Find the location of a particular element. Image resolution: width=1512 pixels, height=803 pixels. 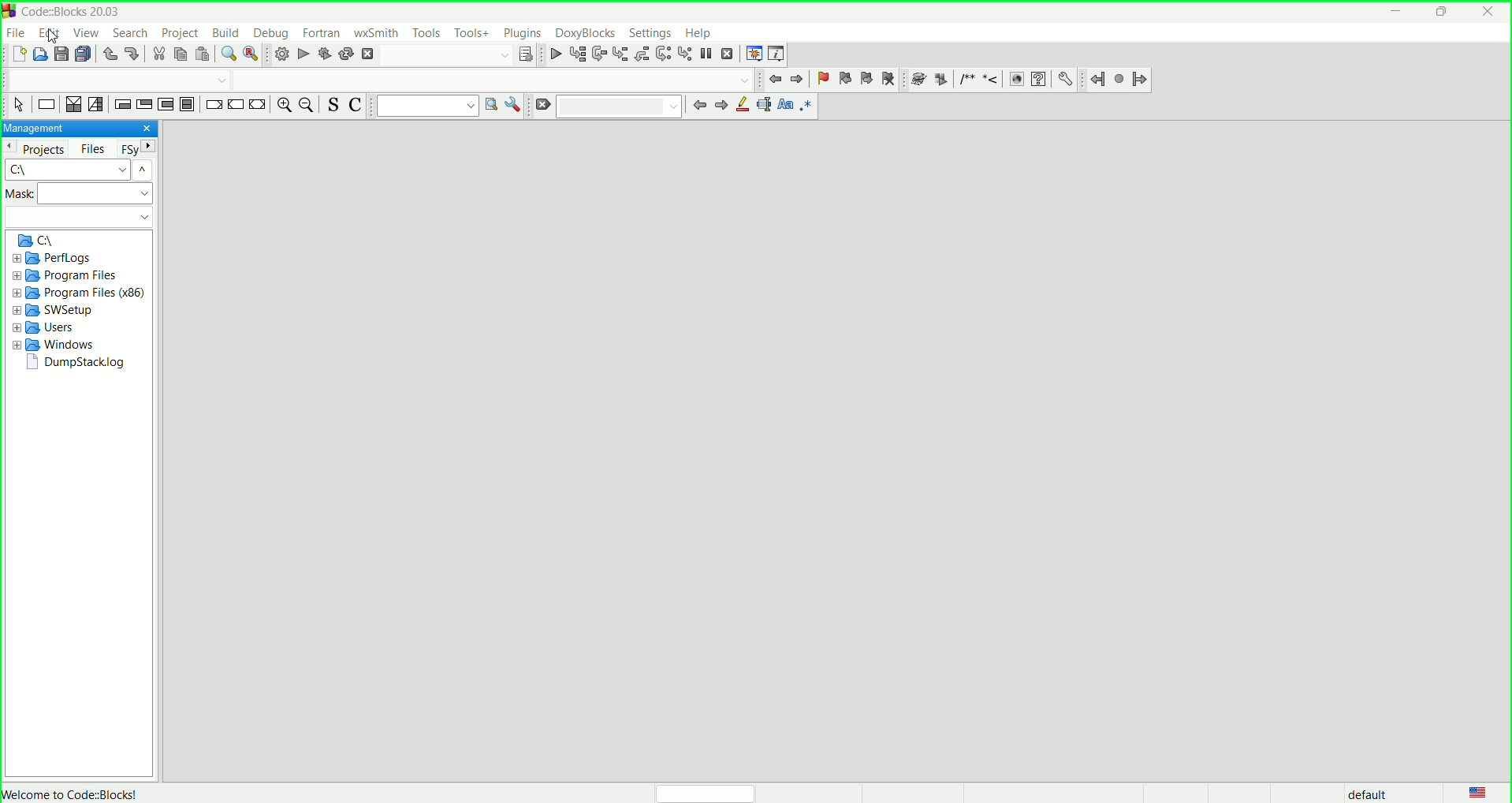

 is located at coordinates (374, 32).